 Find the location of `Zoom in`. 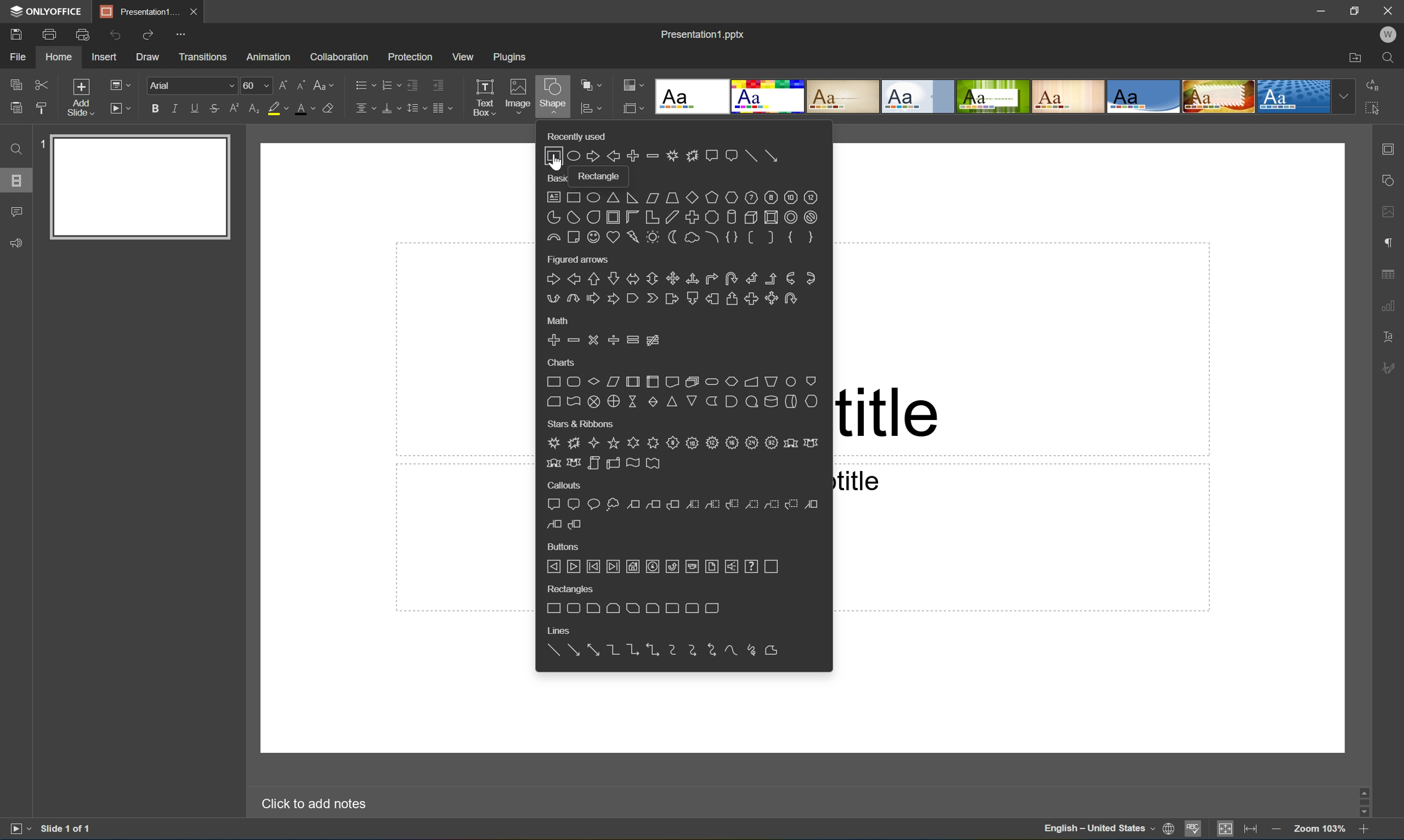

Zoom in is located at coordinates (1363, 830).